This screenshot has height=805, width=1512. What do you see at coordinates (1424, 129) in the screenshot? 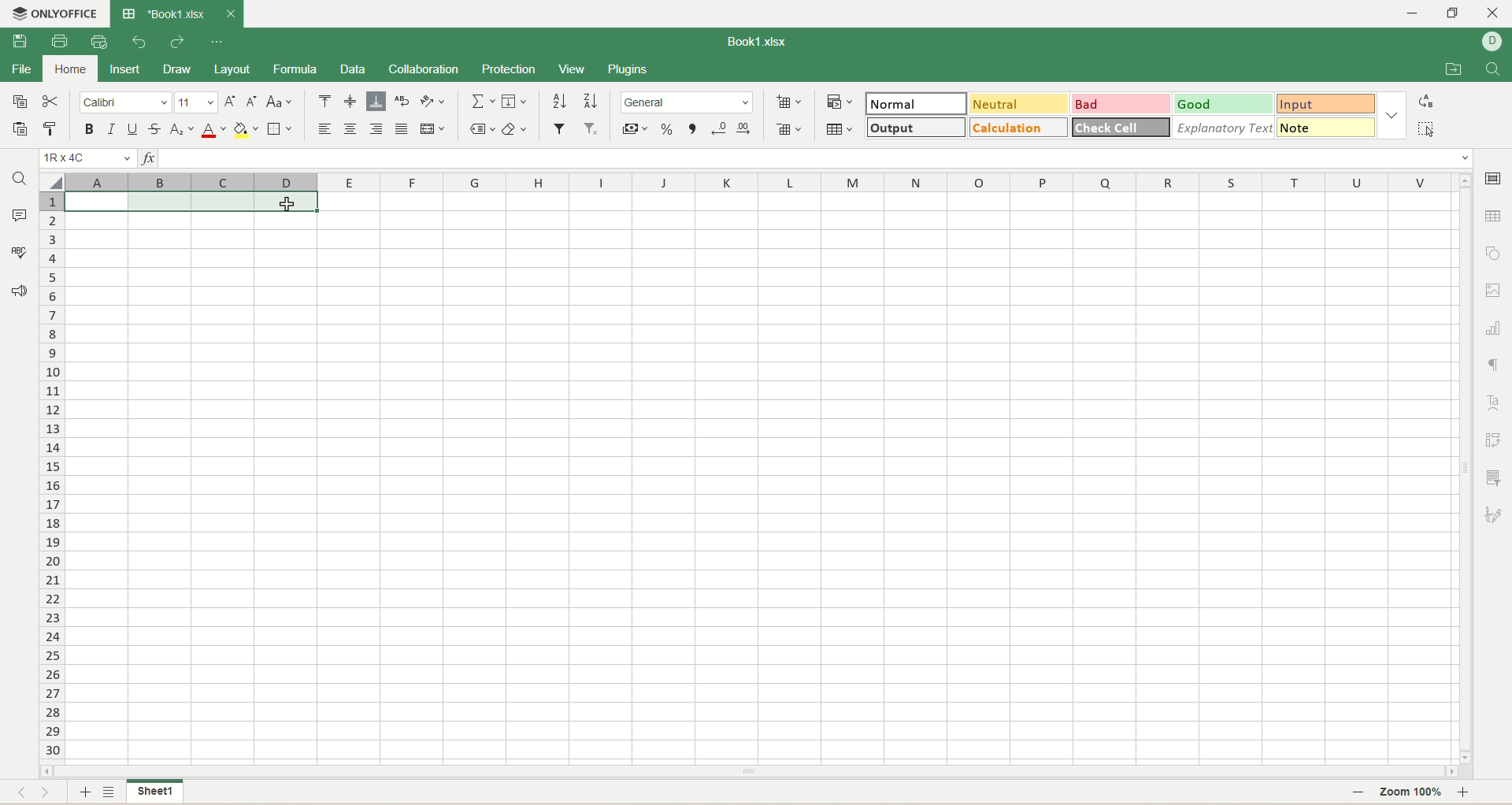
I see `select all` at bounding box center [1424, 129].